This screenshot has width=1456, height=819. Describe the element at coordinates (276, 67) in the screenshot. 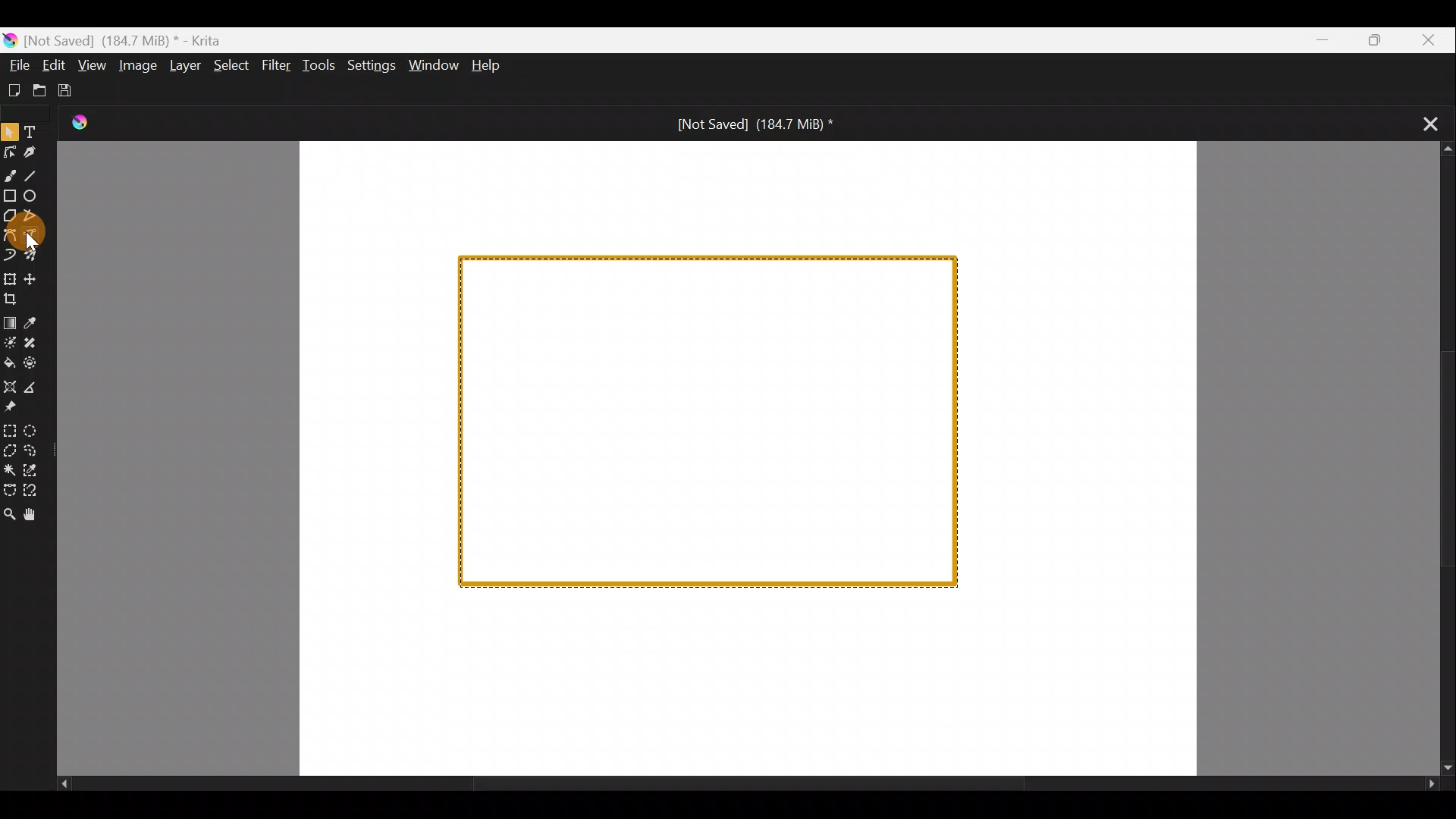

I see `Filter` at that location.